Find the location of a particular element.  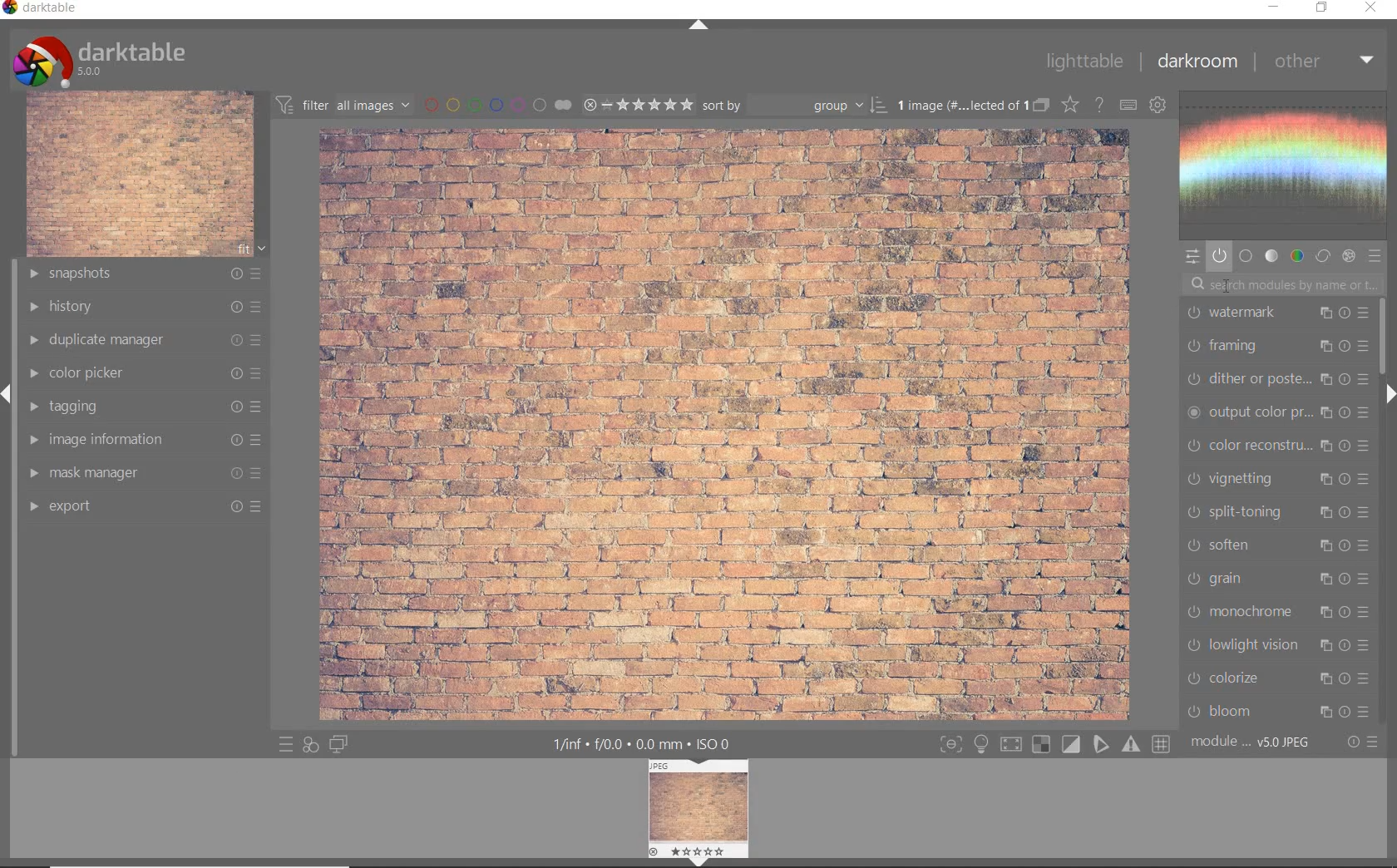

quick access panel is located at coordinates (1193, 258).